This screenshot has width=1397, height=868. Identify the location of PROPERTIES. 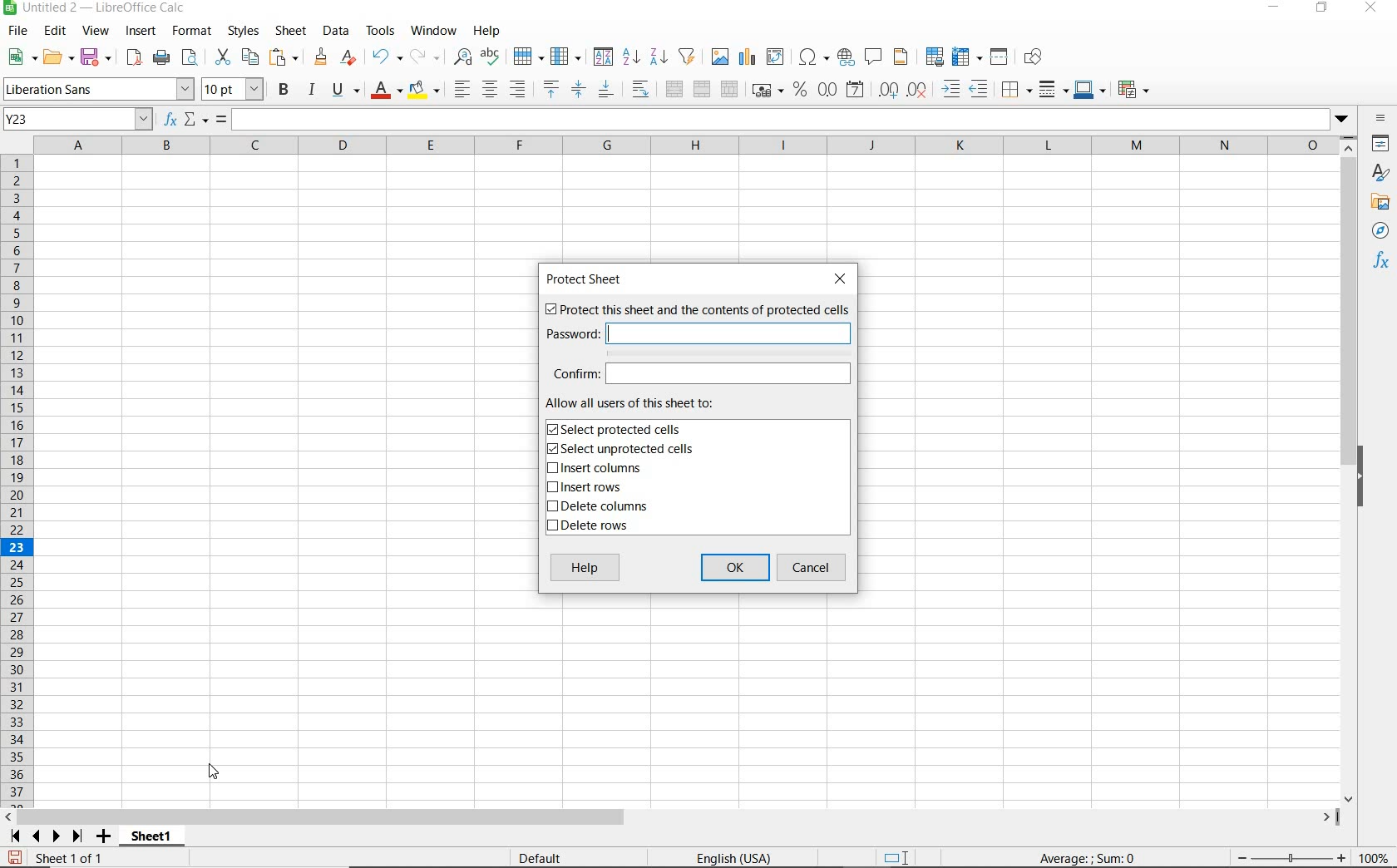
(1380, 145).